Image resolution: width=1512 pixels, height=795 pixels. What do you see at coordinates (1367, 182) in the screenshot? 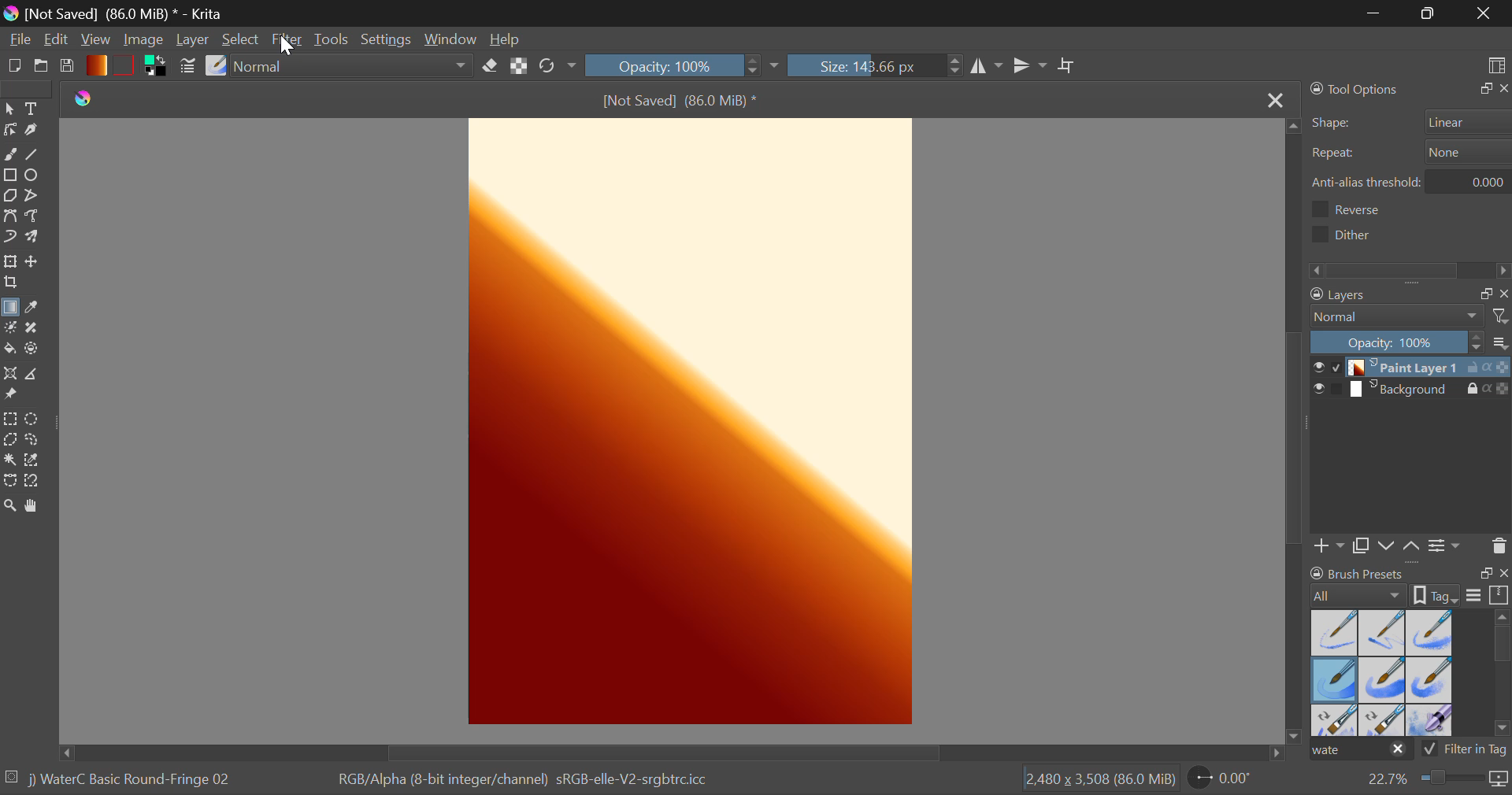
I see `Anti-alias threshhold:` at bounding box center [1367, 182].